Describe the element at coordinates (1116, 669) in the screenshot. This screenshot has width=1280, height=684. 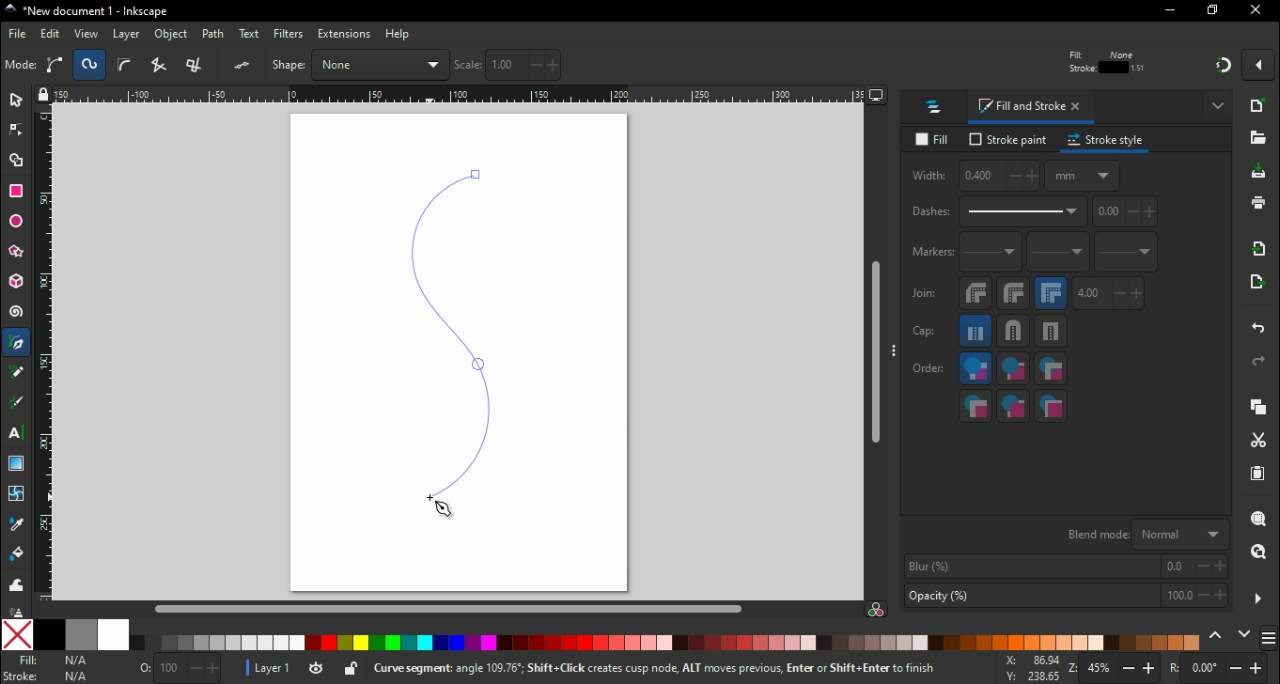
I see `zoom im/zoom out` at that location.